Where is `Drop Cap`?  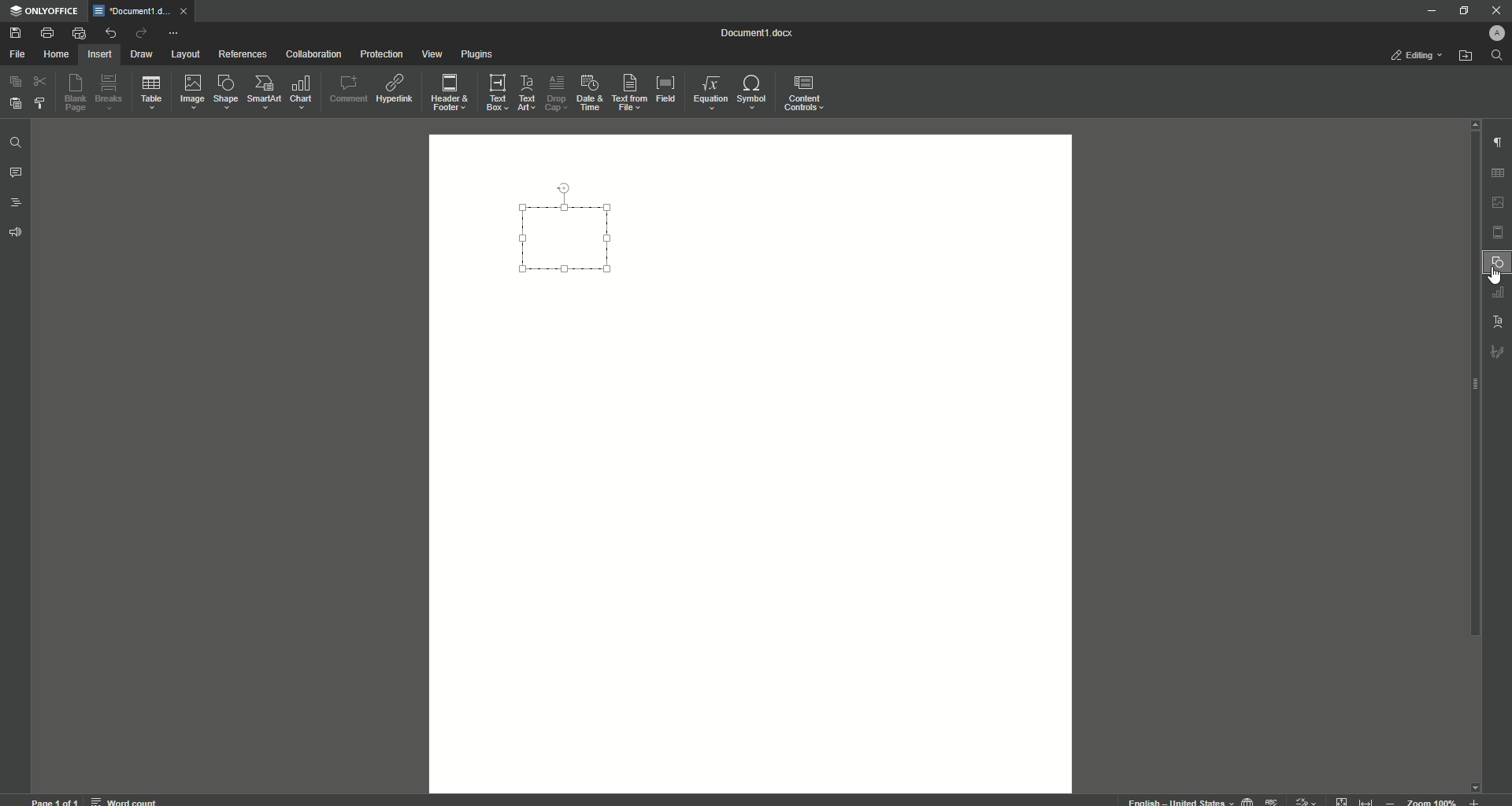 Drop Cap is located at coordinates (554, 90).